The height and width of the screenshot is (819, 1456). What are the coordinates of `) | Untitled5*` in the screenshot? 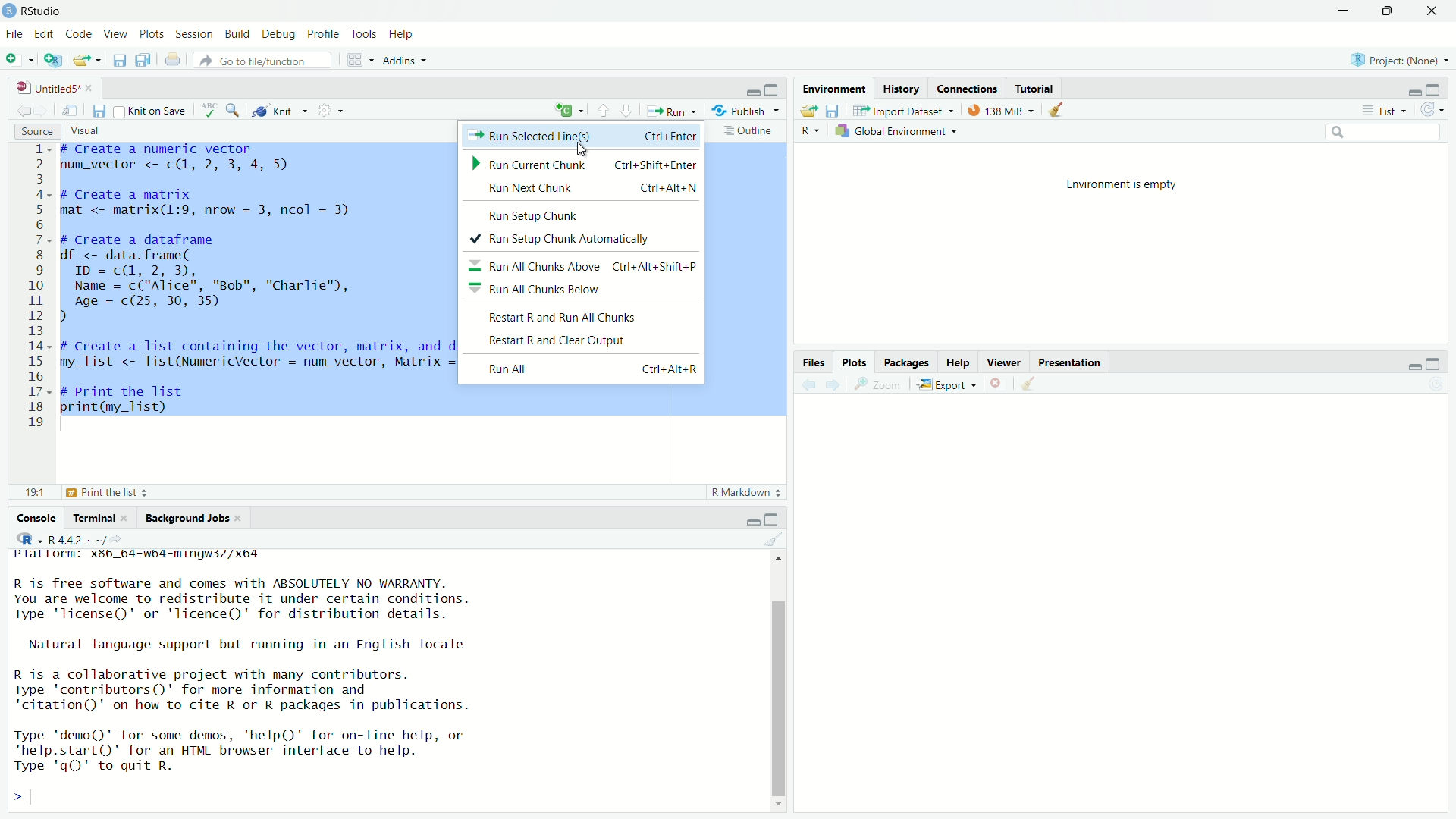 It's located at (53, 88).